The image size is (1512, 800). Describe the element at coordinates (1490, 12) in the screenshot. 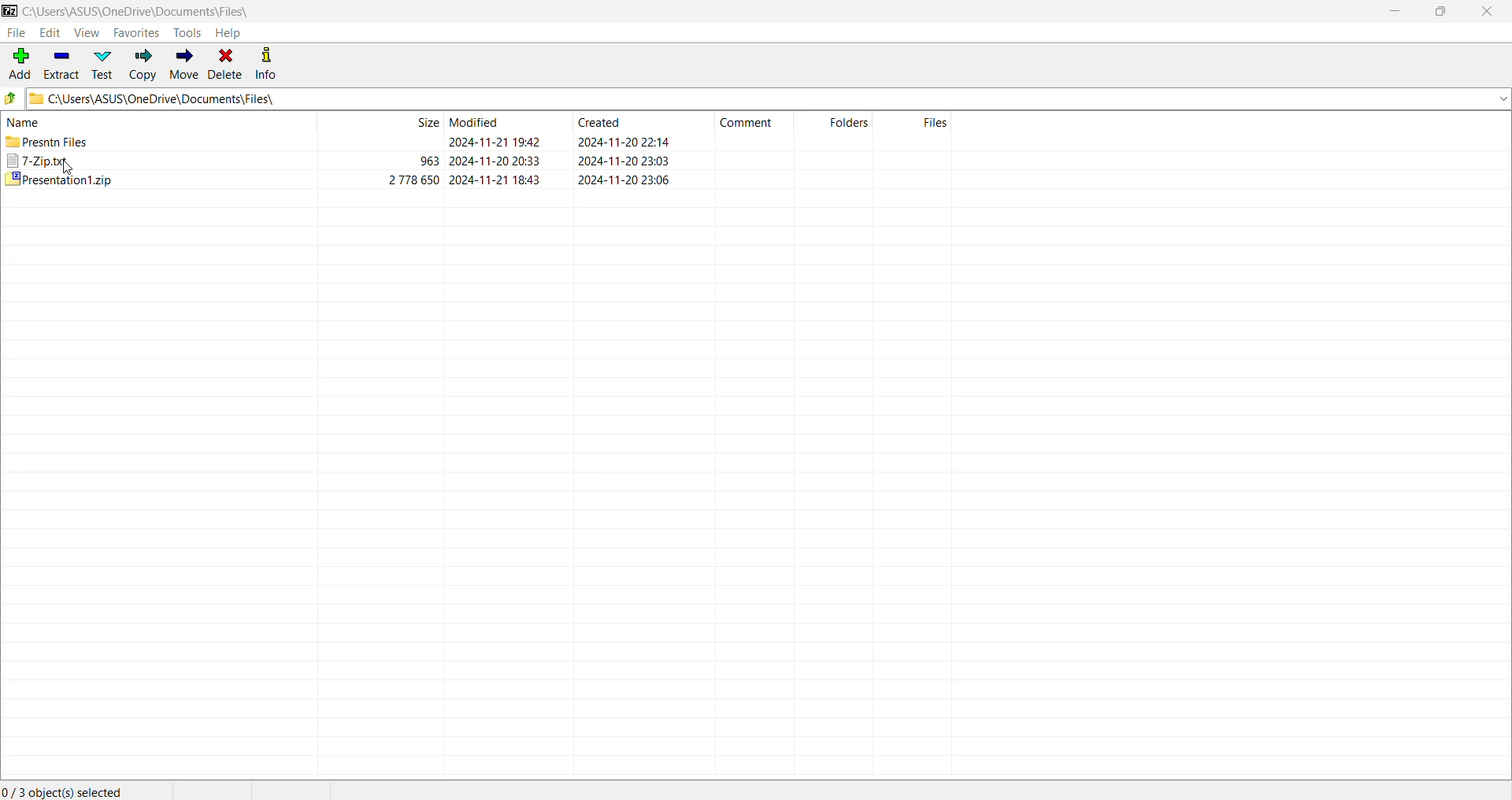

I see `Close` at that location.